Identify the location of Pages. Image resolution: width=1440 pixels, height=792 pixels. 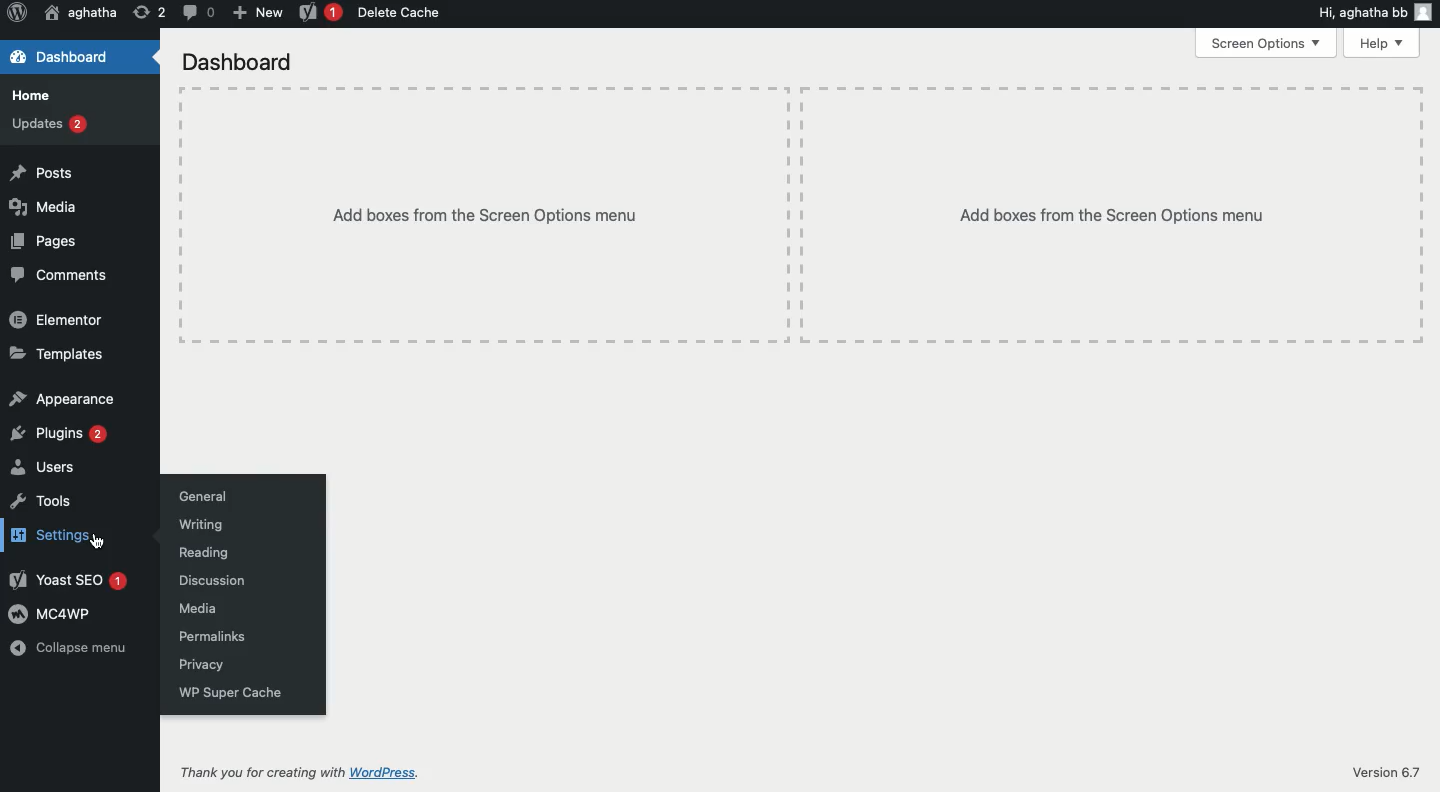
(41, 244).